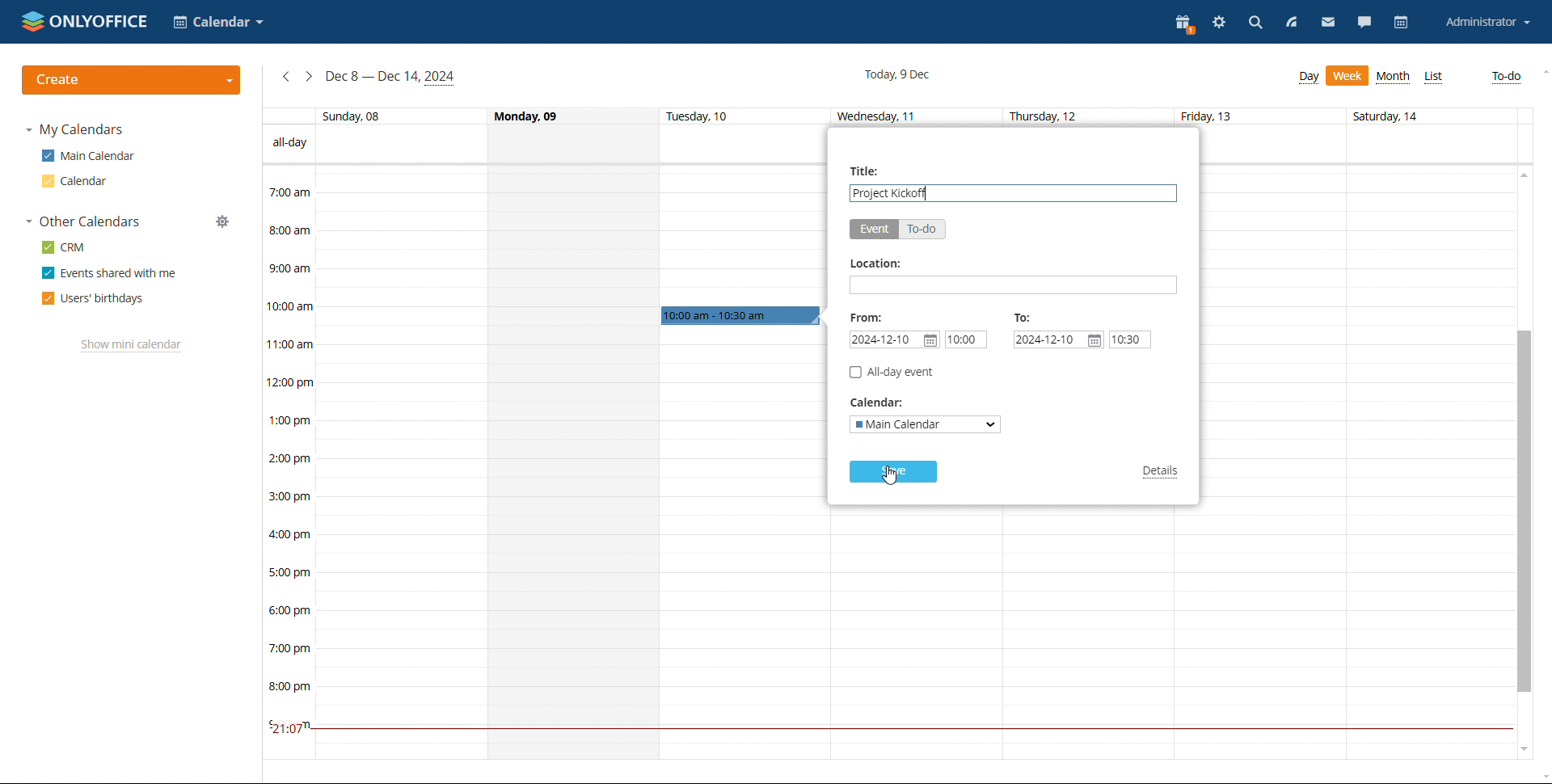 Image resolution: width=1552 pixels, height=784 pixels. What do you see at coordinates (1309, 78) in the screenshot?
I see `day view` at bounding box center [1309, 78].